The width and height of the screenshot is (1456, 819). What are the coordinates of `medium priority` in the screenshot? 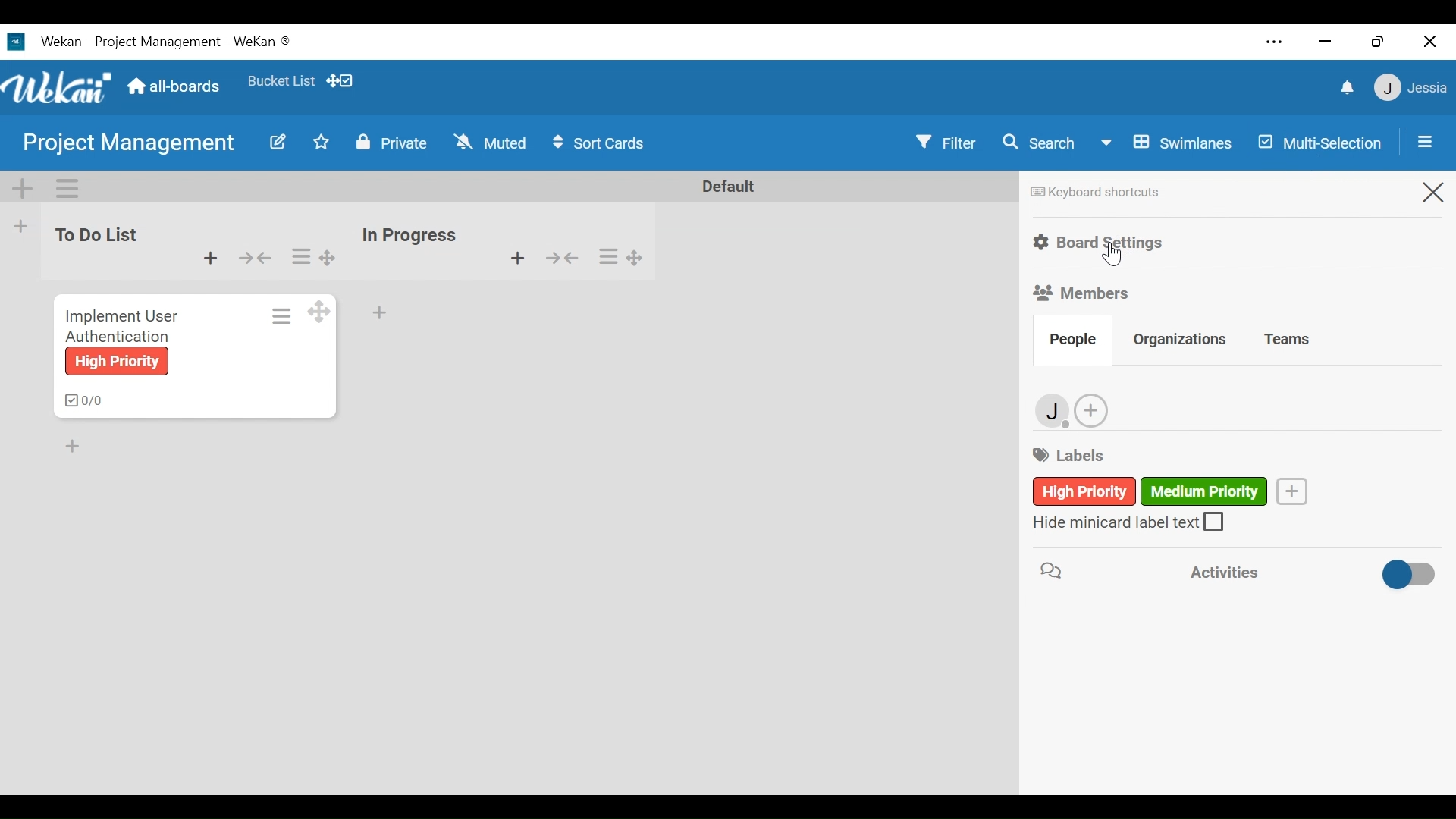 It's located at (1207, 490).